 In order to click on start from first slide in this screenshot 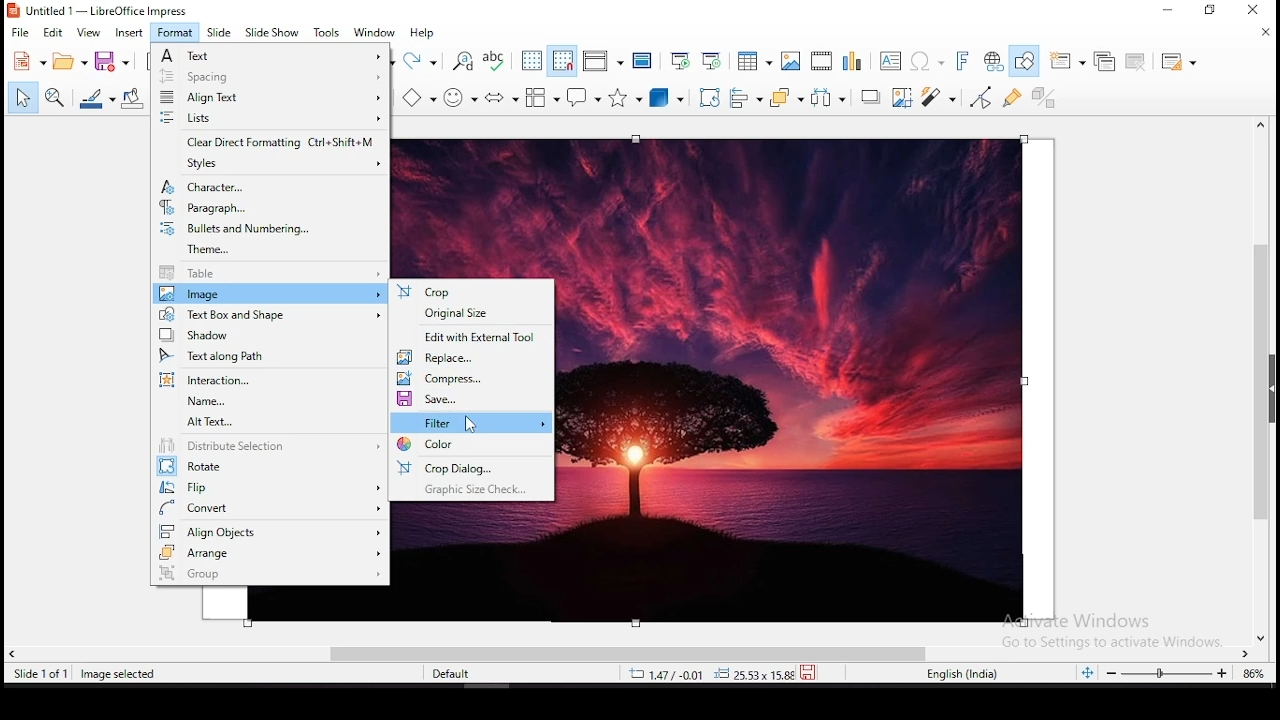, I will do `click(680, 59)`.